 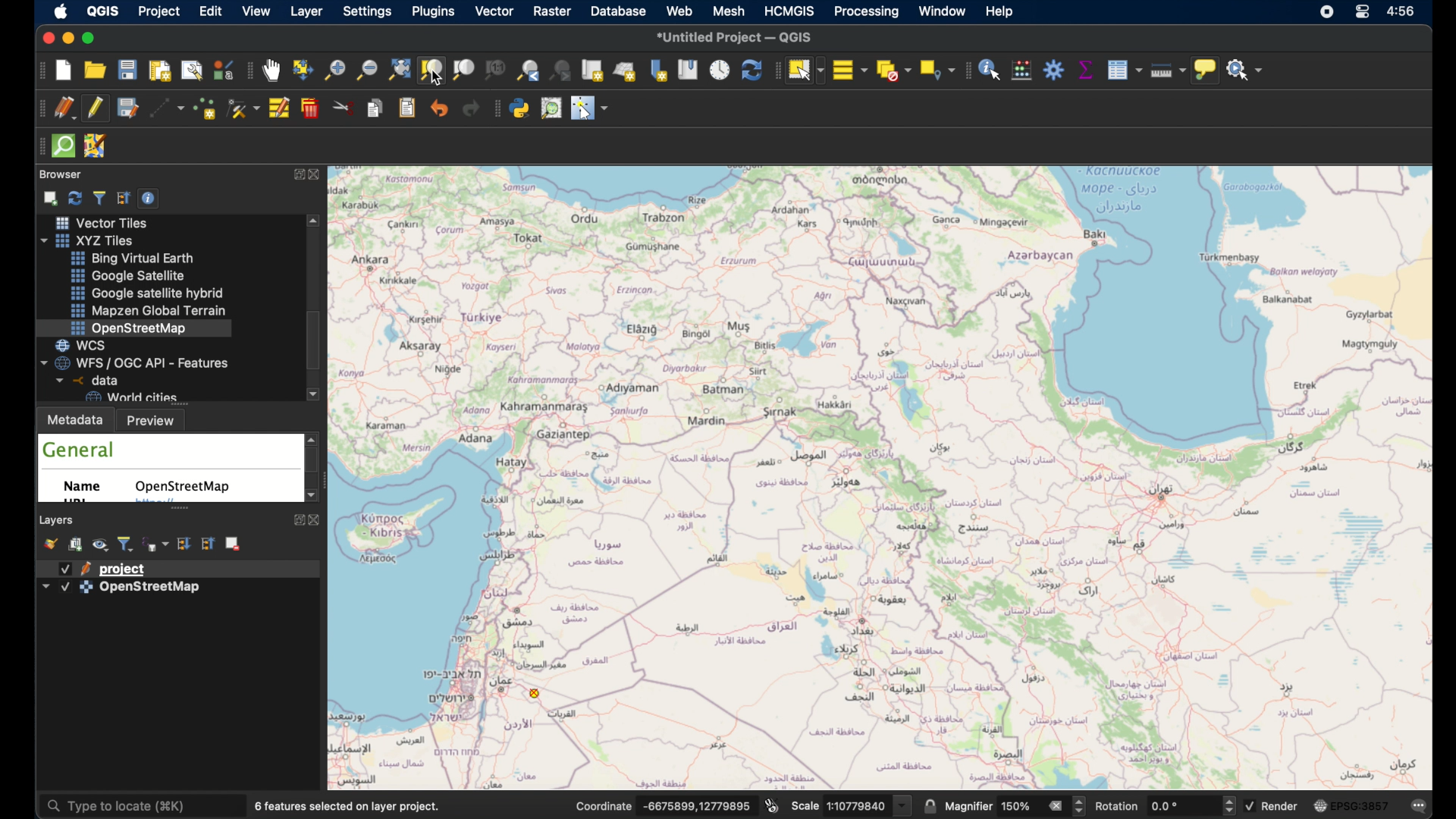 I want to click on openstreetmap, so click(x=890, y=475).